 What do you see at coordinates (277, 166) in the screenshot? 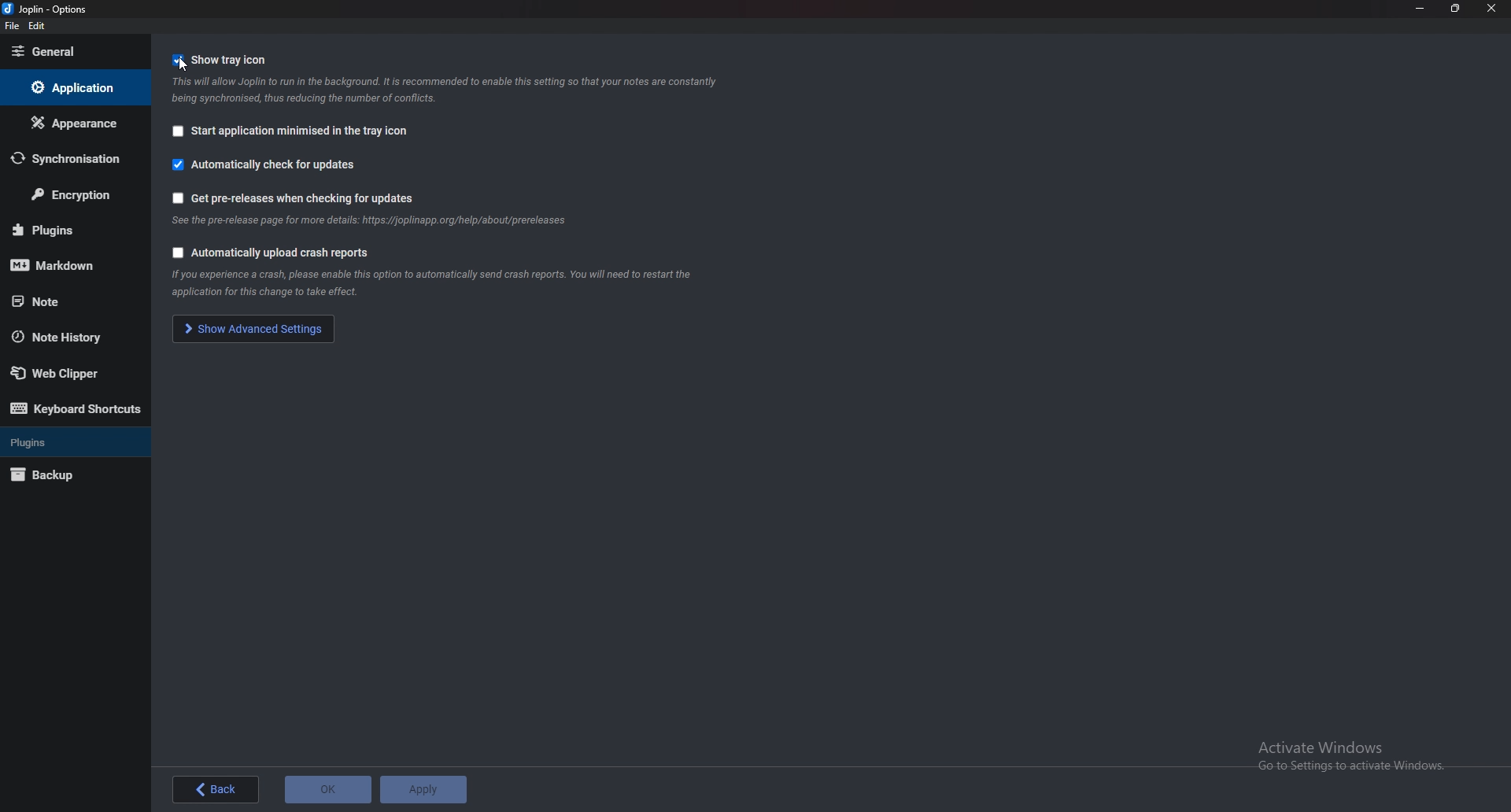
I see `Automatically check for updates` at bounding box center [277, 166].